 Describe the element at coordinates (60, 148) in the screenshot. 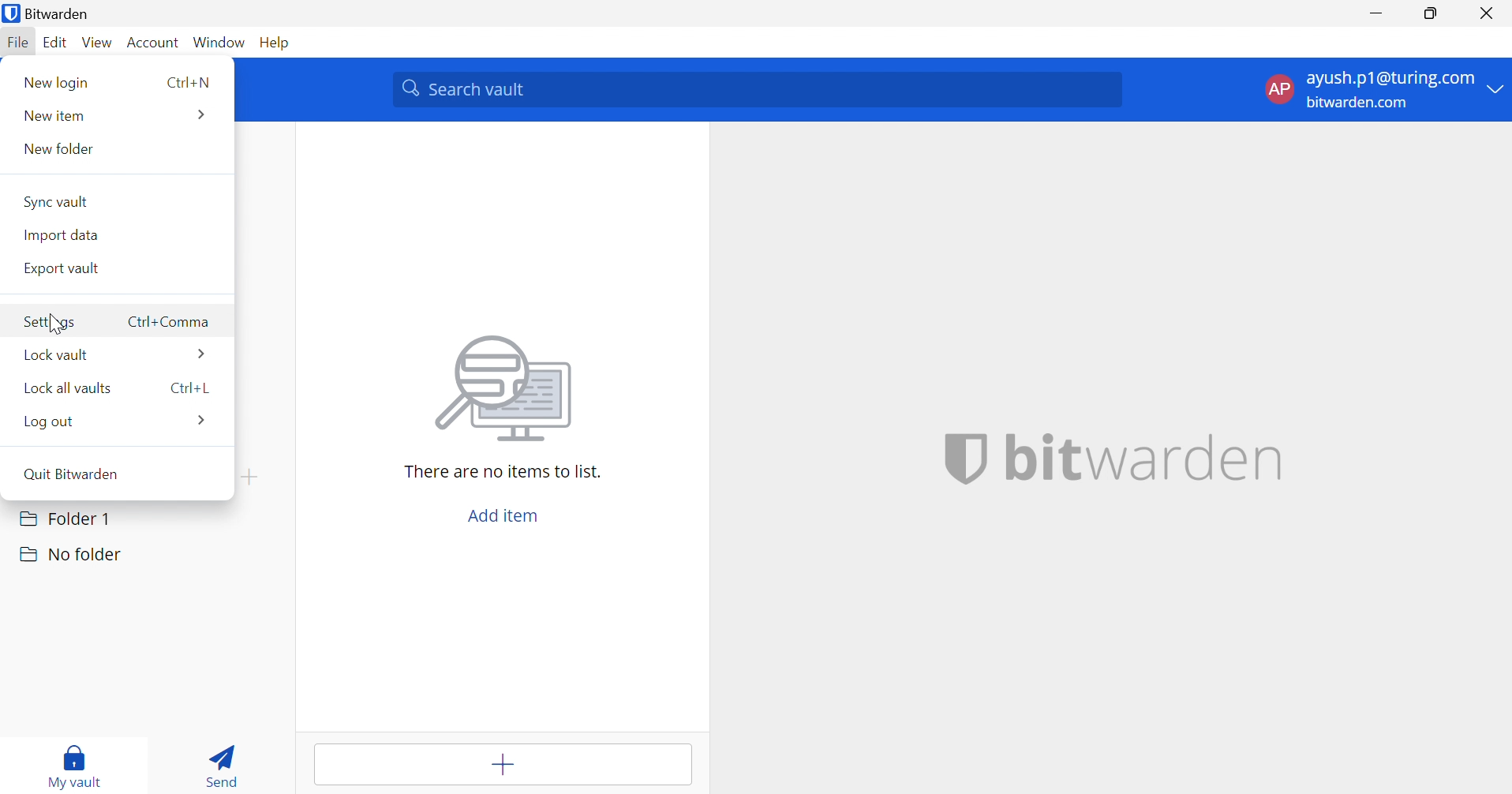

I see `New folder` at that location.